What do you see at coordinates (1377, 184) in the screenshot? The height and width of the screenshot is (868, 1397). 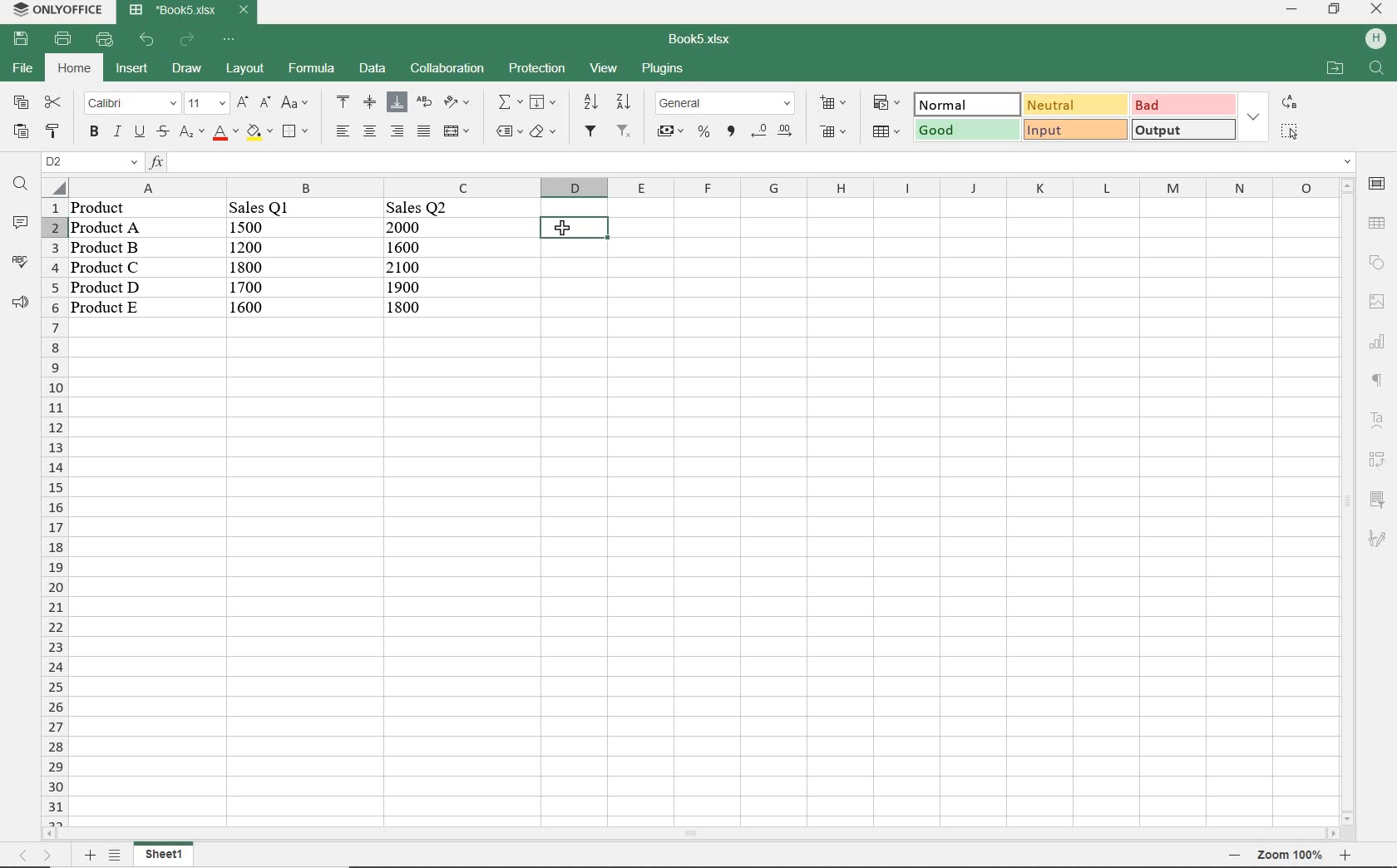 I see `cell settings` at bounding box center [1377, 184].